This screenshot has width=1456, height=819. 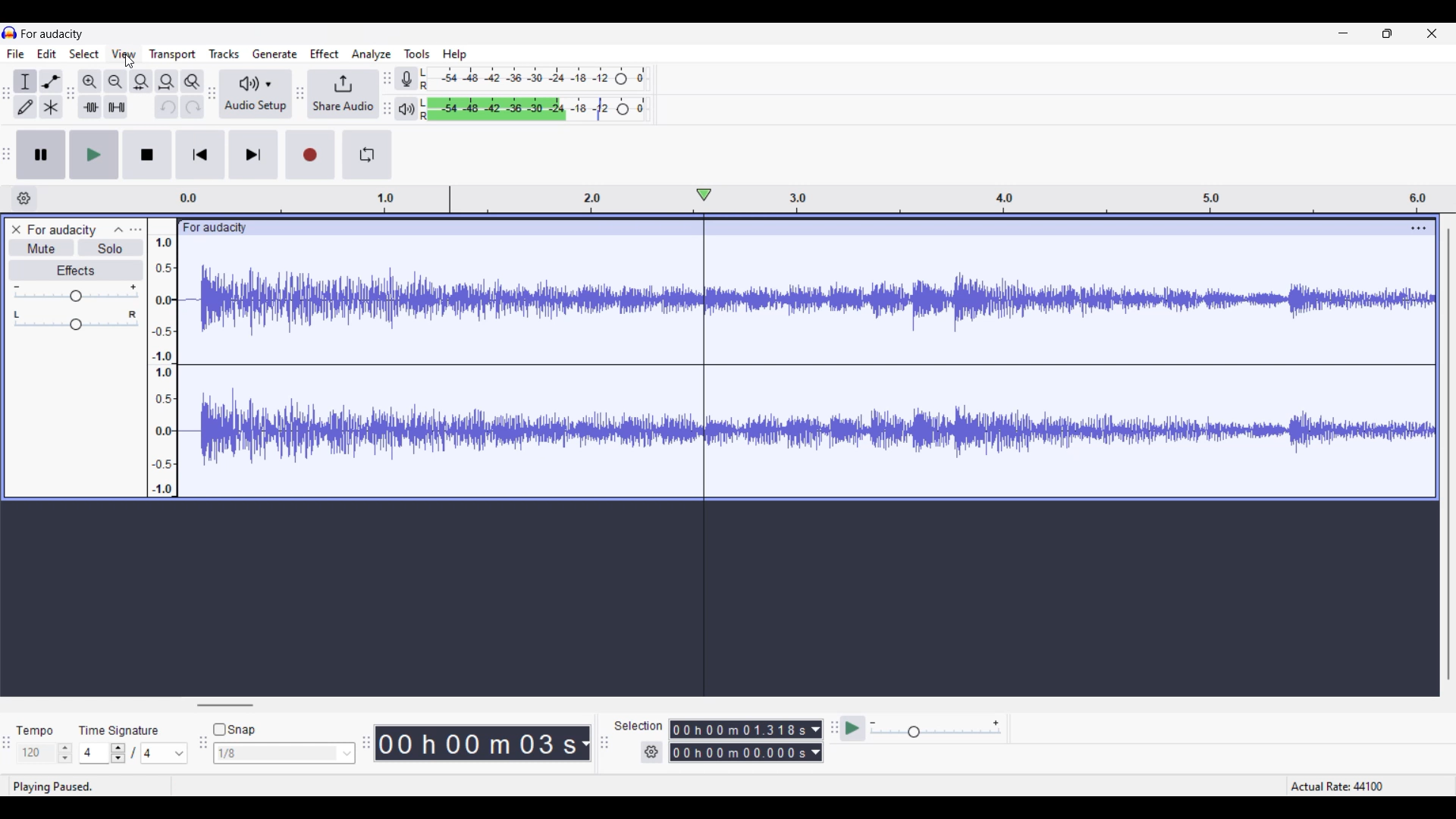 I want to click on Scale to measure intensity of sound, so click(x=164, y=366).